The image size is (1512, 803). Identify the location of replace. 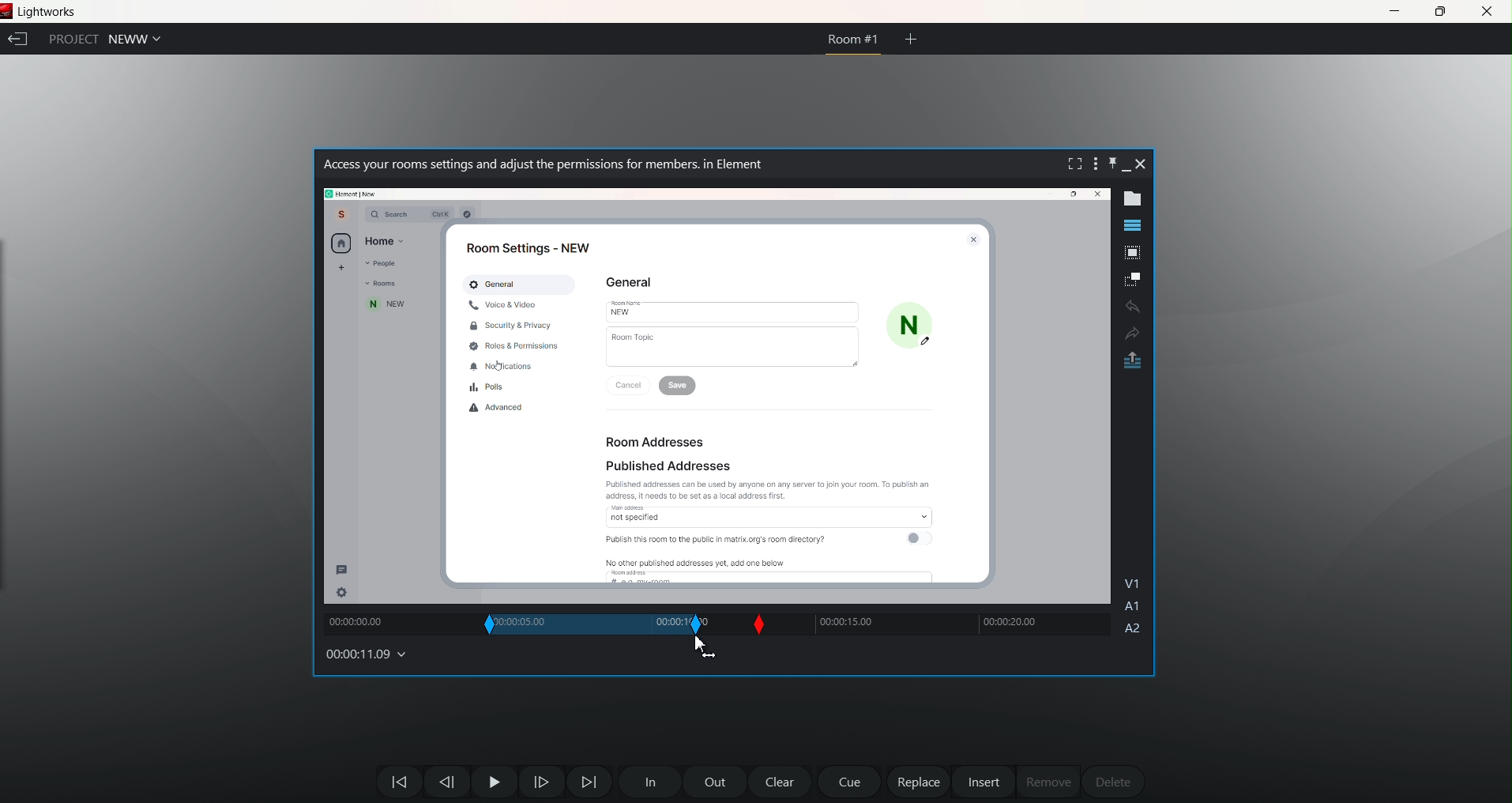
(914, 780).